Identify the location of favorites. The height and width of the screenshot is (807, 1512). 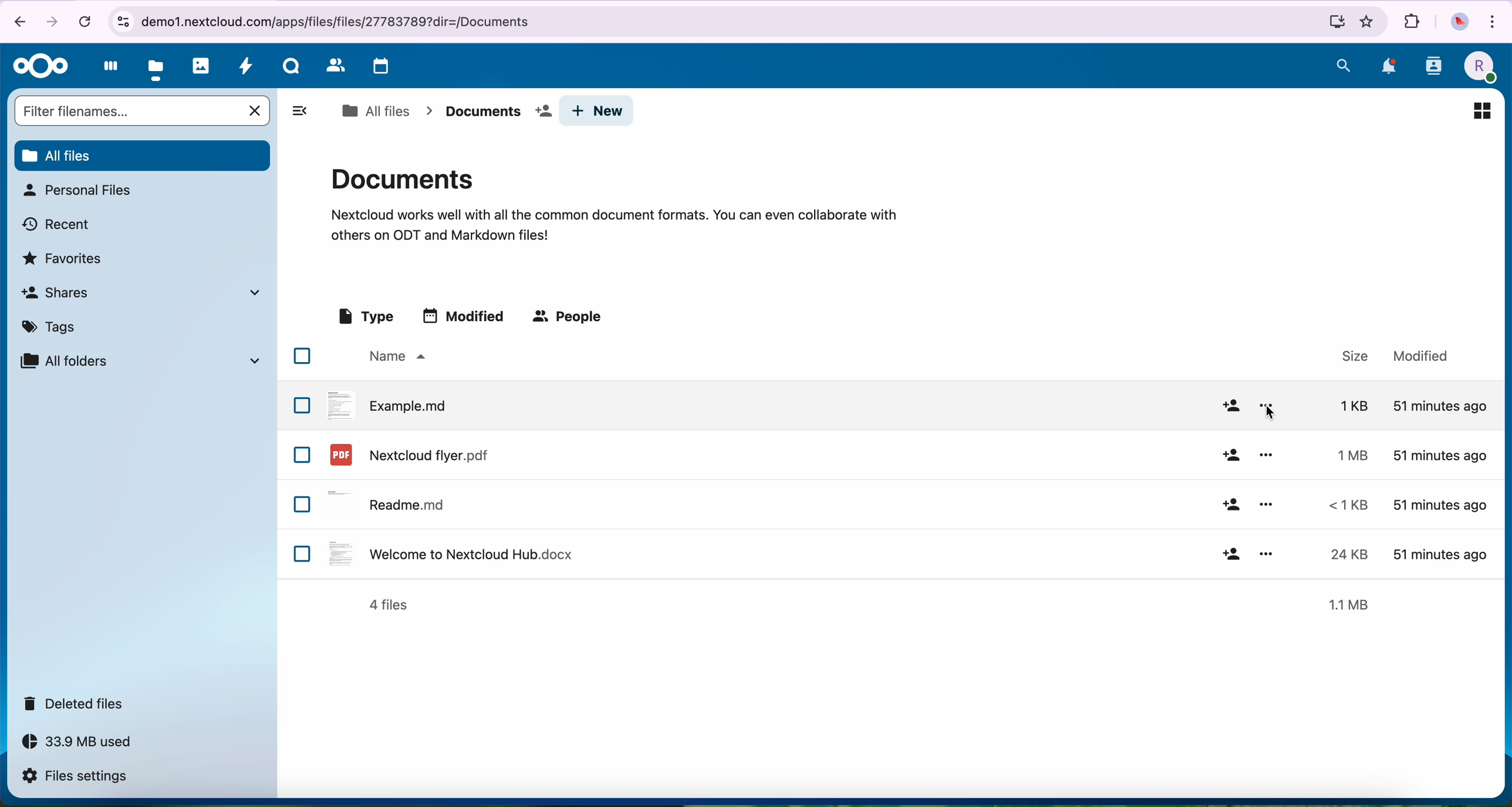
(1368, 22).